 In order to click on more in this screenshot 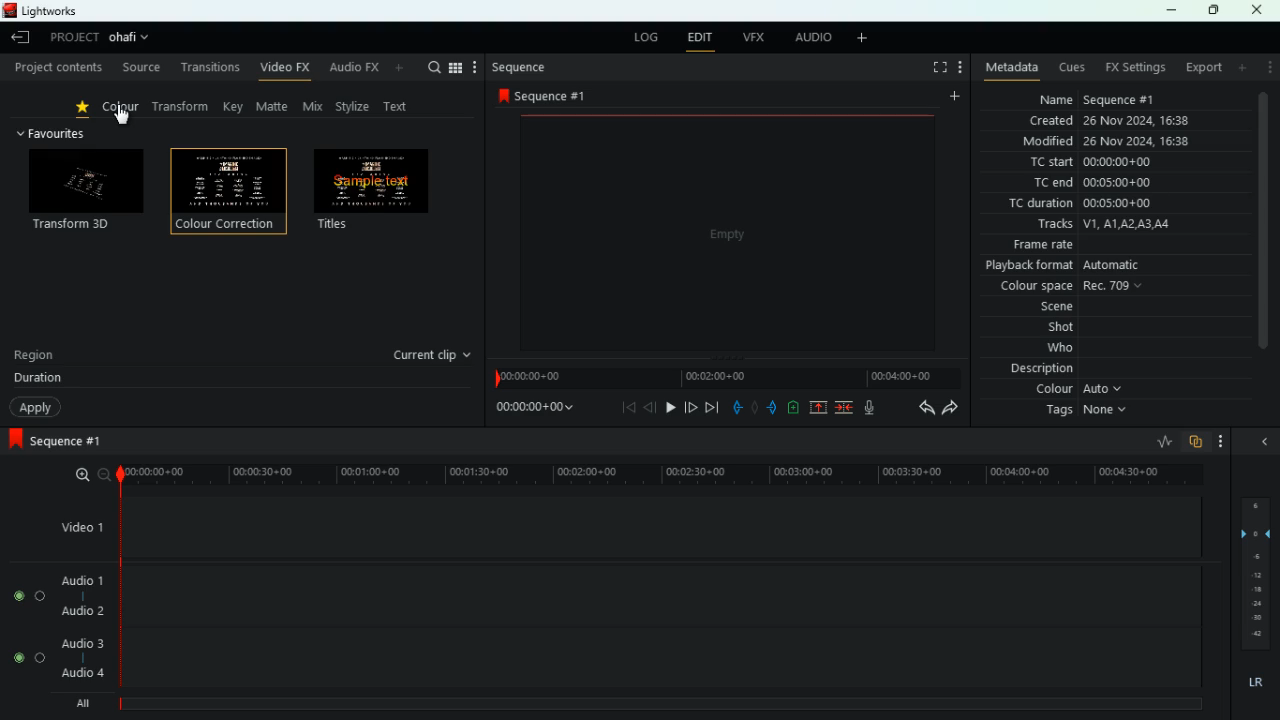, I will do `click(1268, 70)`.